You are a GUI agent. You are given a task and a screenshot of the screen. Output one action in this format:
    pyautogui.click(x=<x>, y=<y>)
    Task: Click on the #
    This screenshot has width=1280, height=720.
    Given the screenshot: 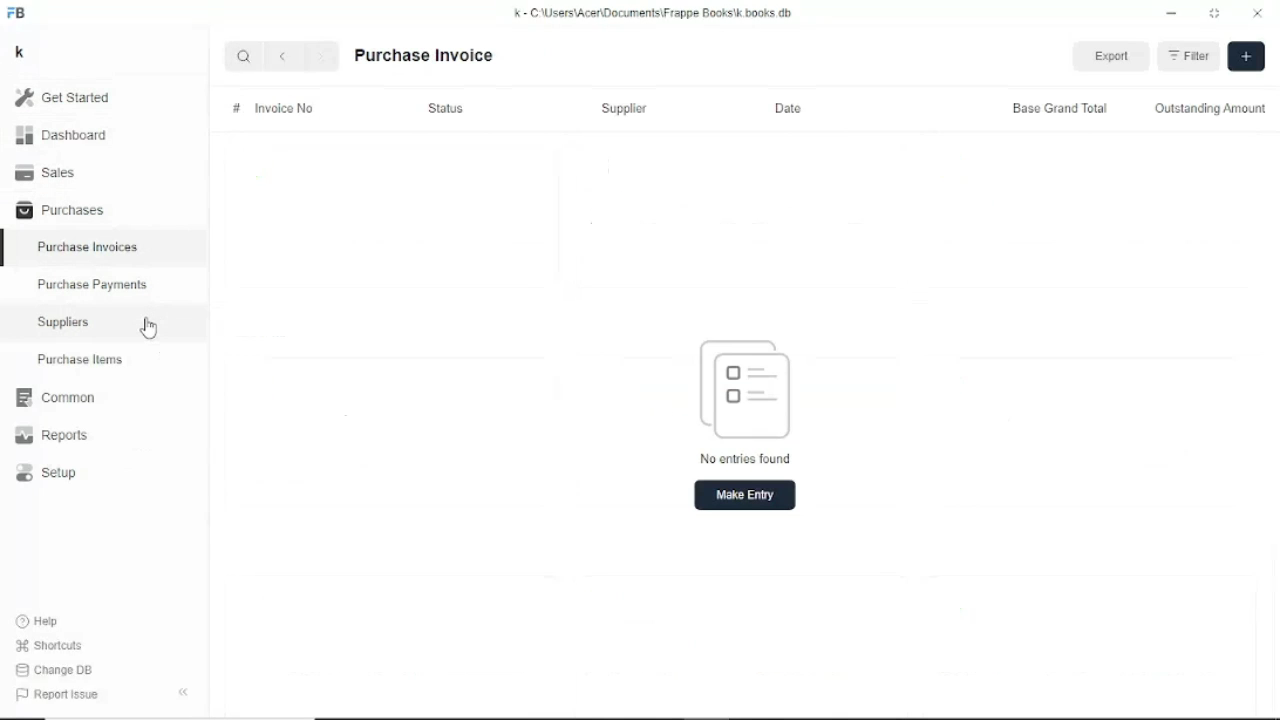 What is the action you would take?
    pyautogui.click(x=235, y=109)
    